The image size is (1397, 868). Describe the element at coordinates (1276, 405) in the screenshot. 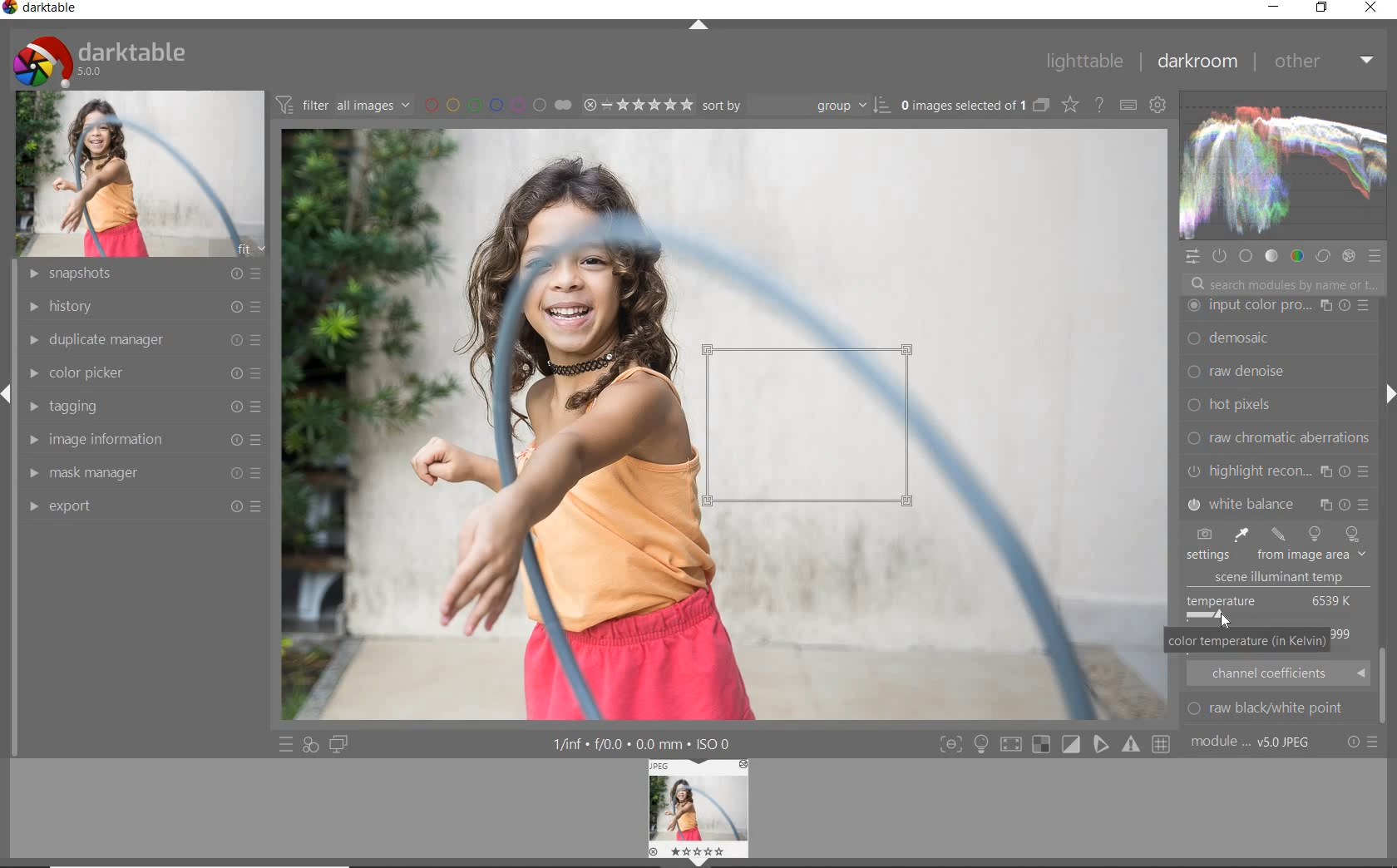

I see `output color preset` at that location.